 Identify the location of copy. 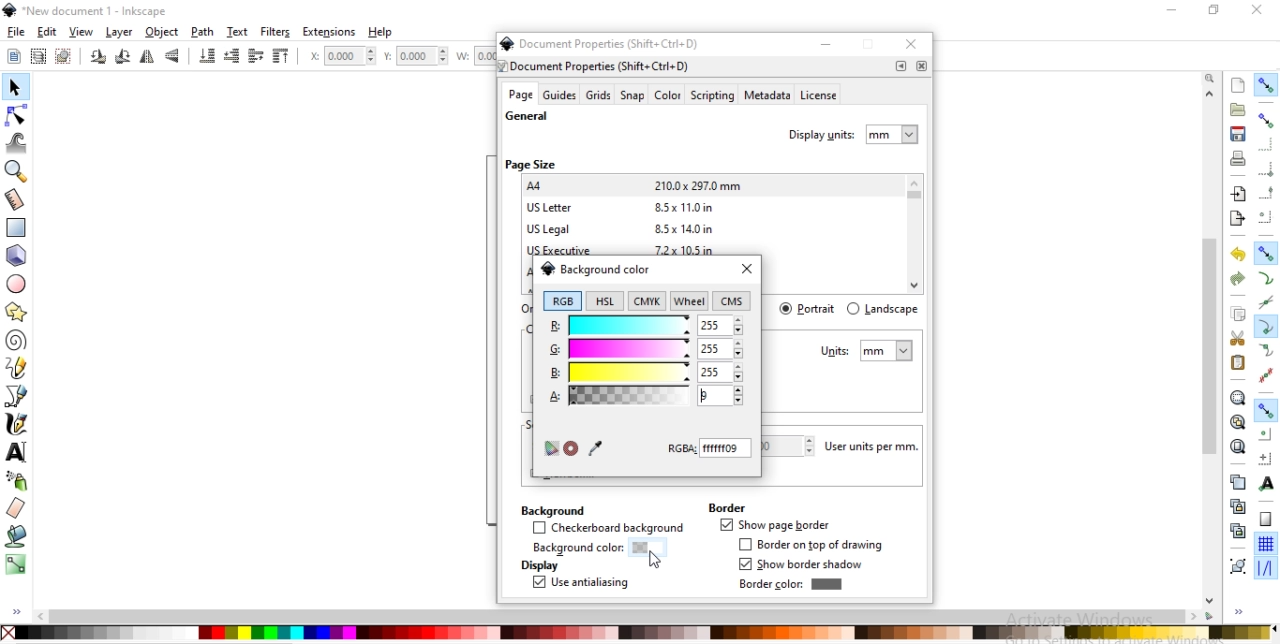
(1238, 315).